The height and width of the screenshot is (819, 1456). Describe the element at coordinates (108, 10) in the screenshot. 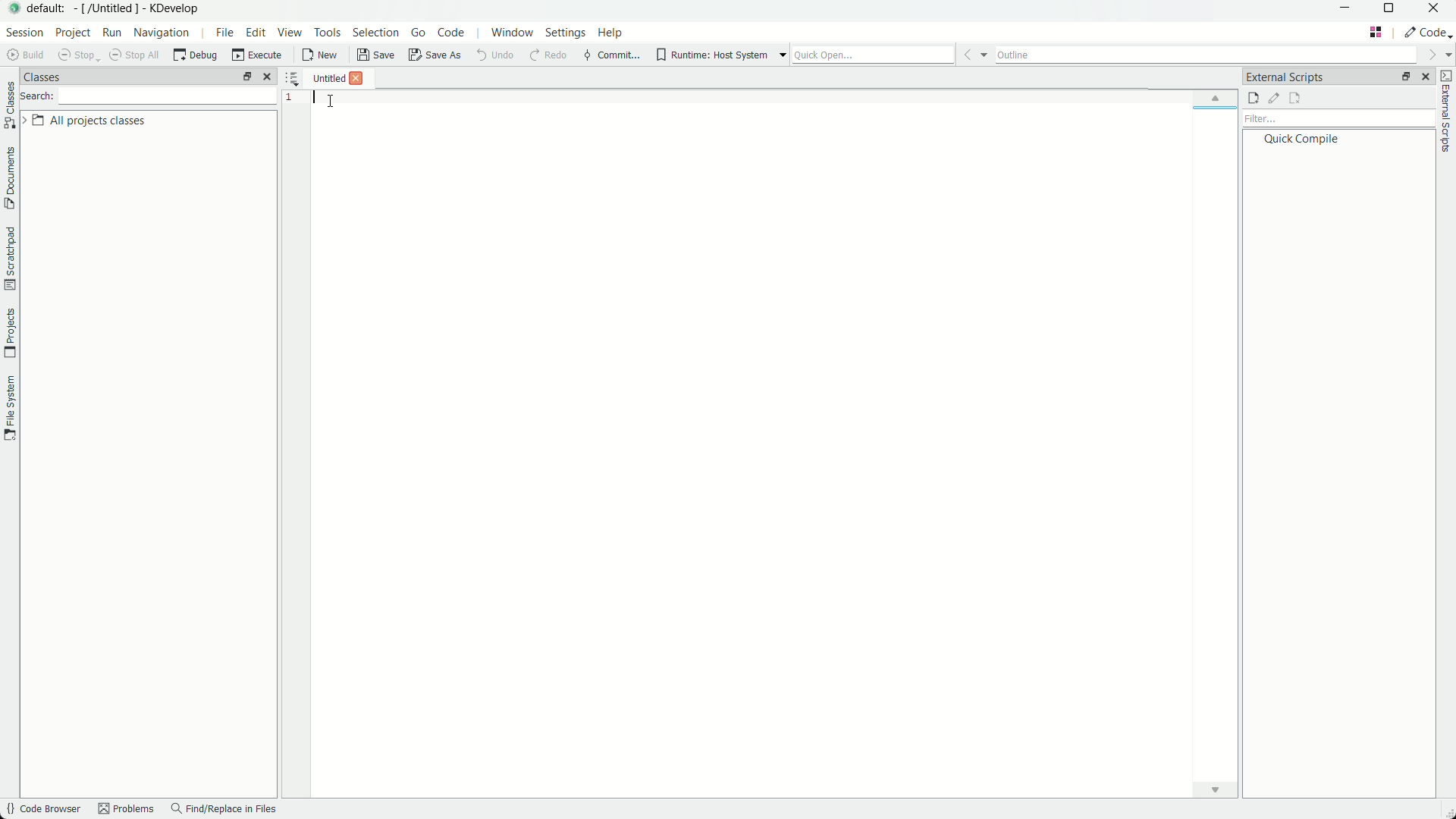

I see `[/untitled]` at that location.